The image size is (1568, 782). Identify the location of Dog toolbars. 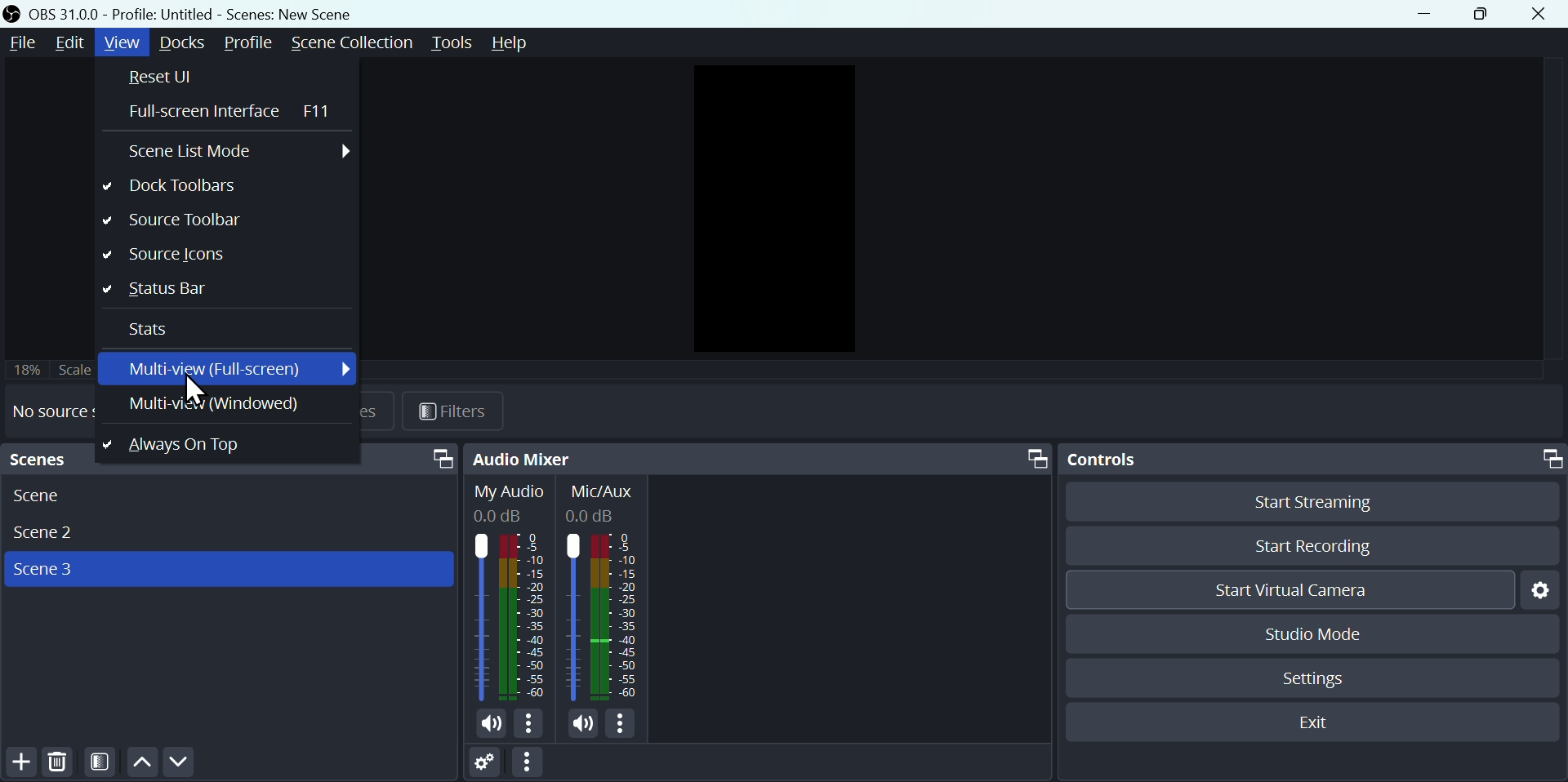
(223, 189).